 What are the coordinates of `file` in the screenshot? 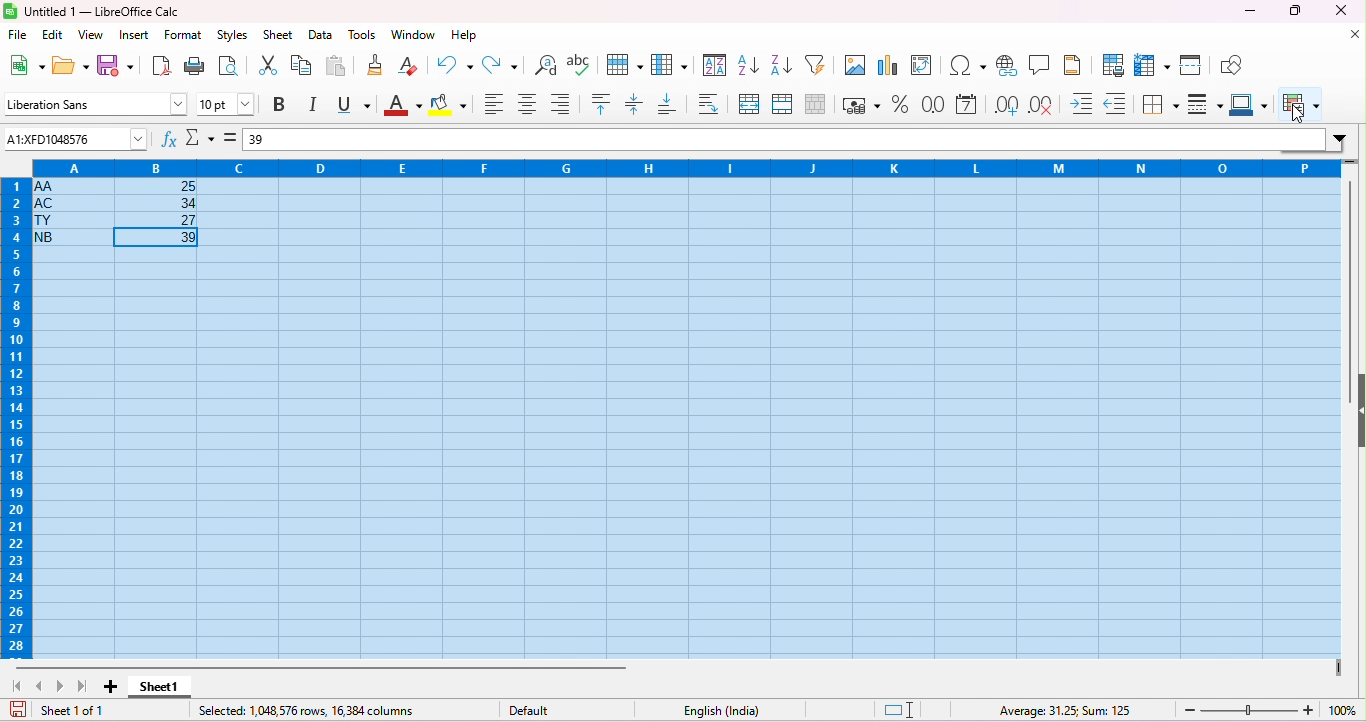 It's located at (18, 35).